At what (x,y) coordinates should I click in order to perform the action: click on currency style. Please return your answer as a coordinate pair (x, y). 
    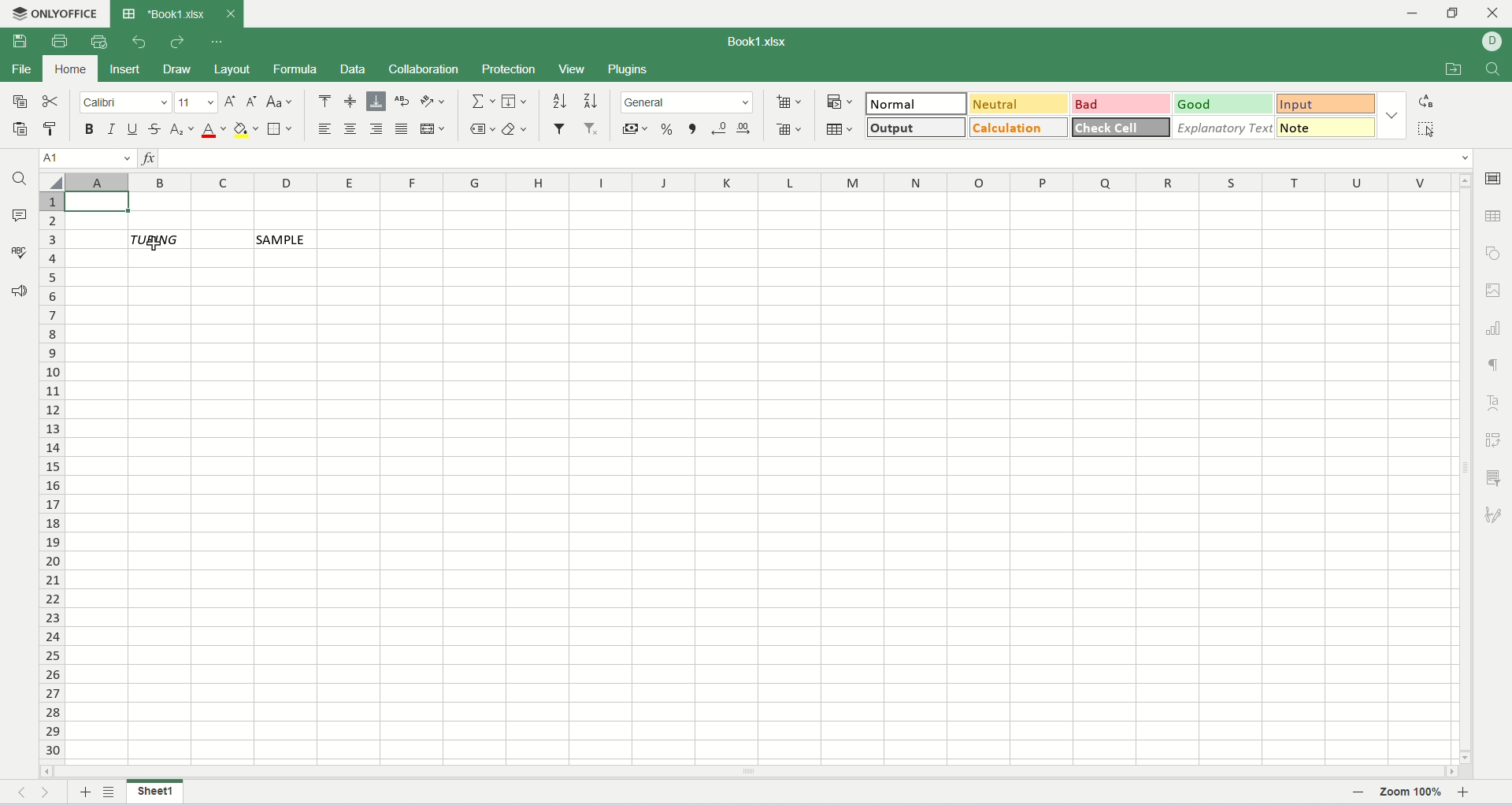
    Looking at the image, I should click on (636, 132).